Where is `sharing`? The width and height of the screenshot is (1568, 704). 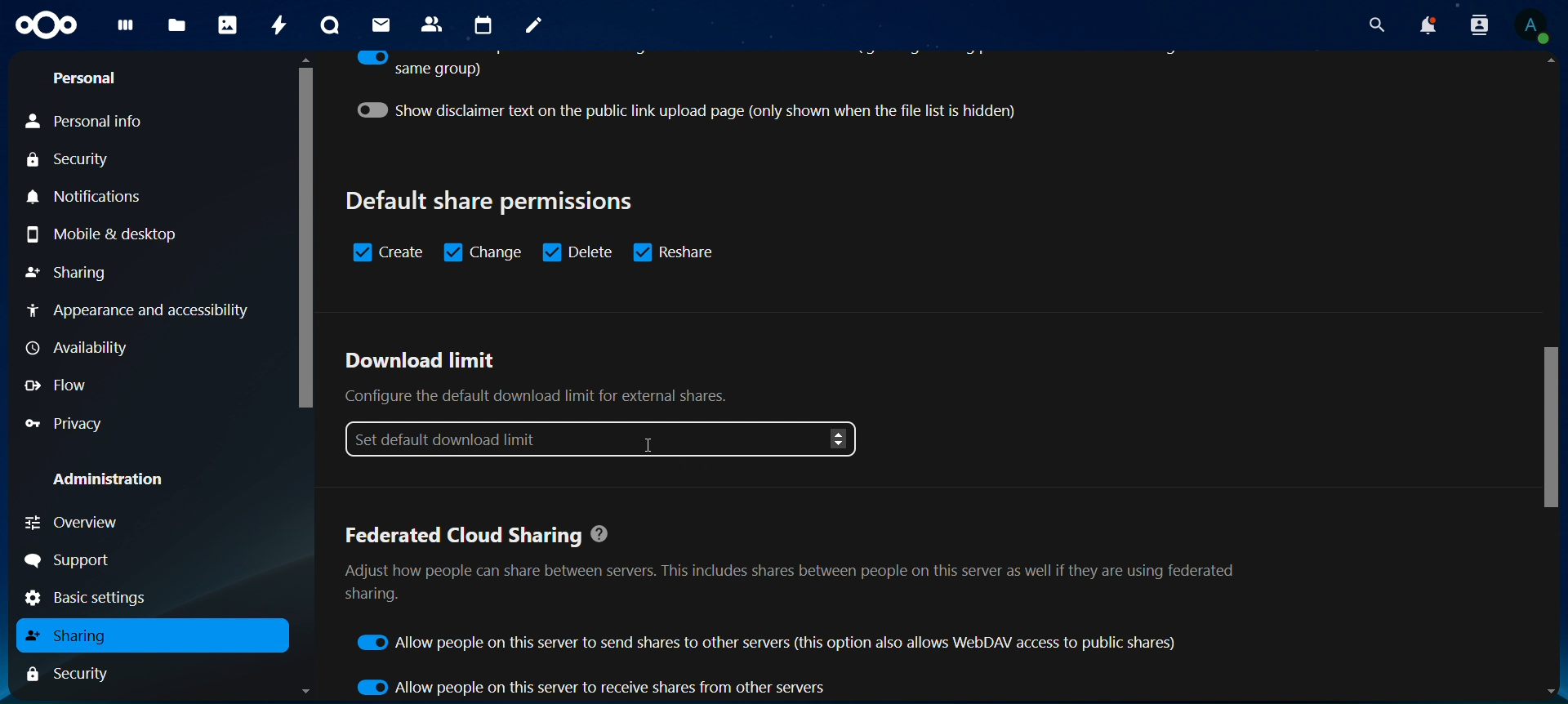
sharing is located at coordinates (69, 274).